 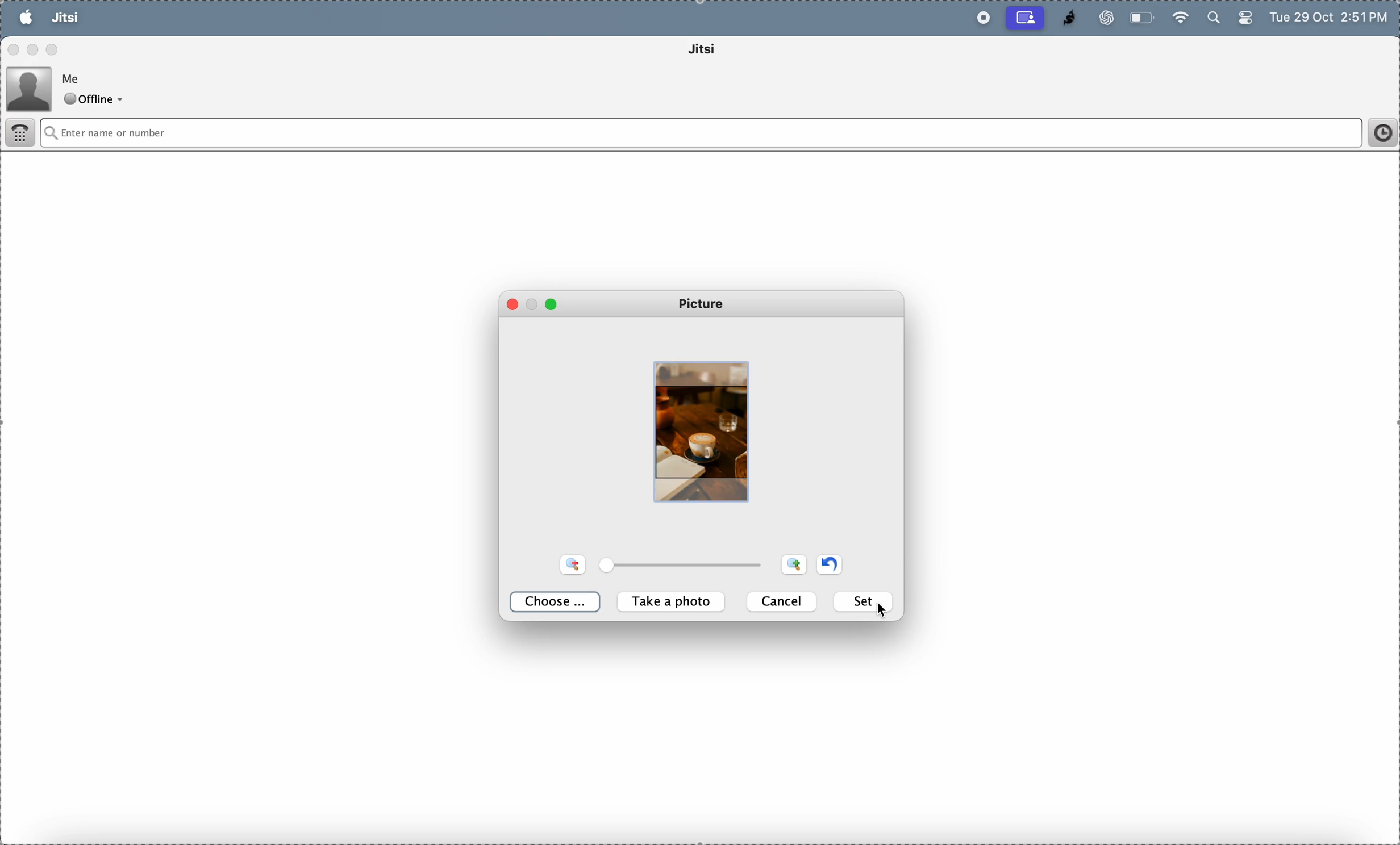 What do you see at coordinates (53, 48) in the screenshot?
I see `maximize` at bounding box center [53, 48].